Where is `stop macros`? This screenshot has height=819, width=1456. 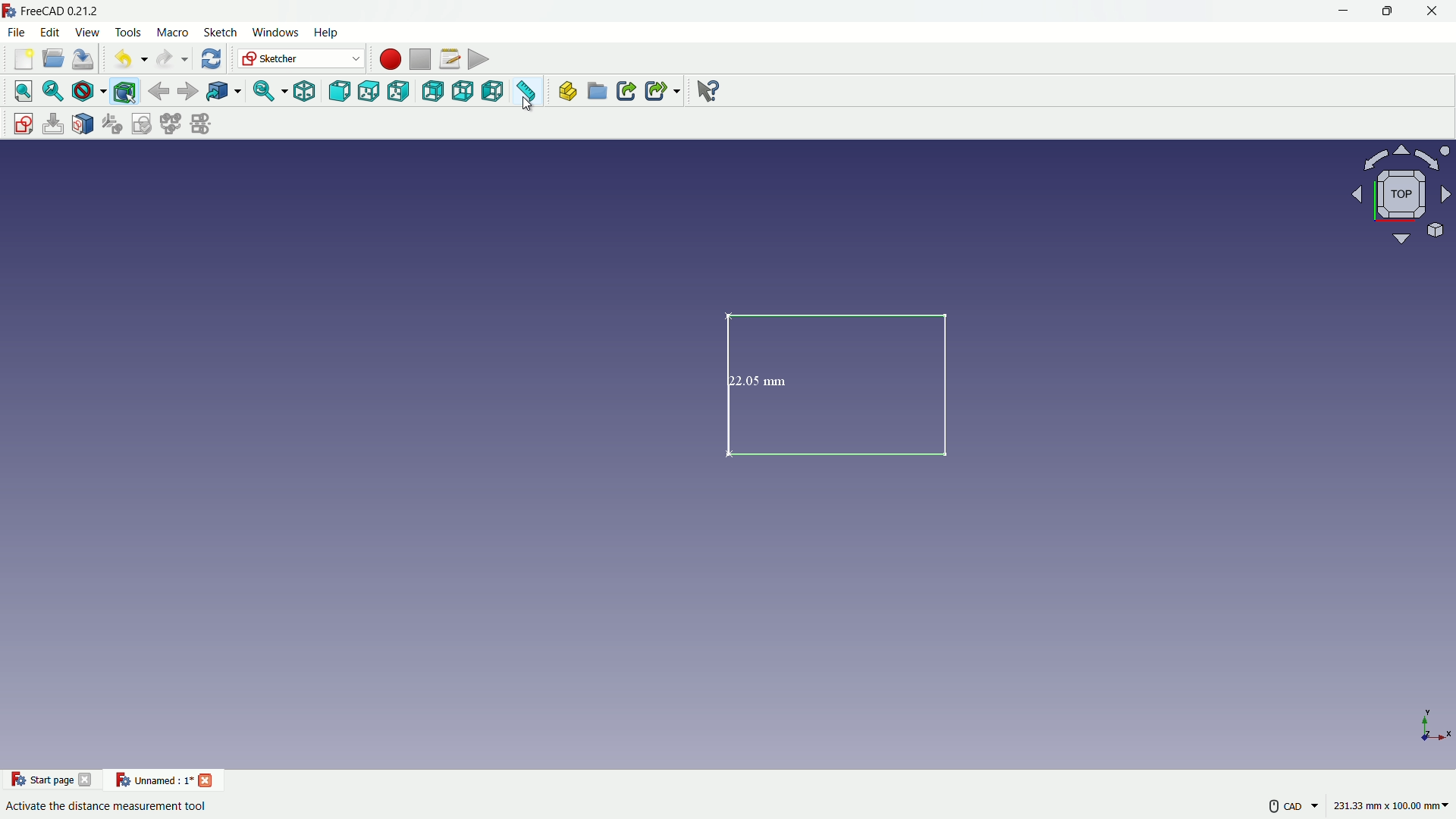 stop macros is located at coordinates (418, 60).